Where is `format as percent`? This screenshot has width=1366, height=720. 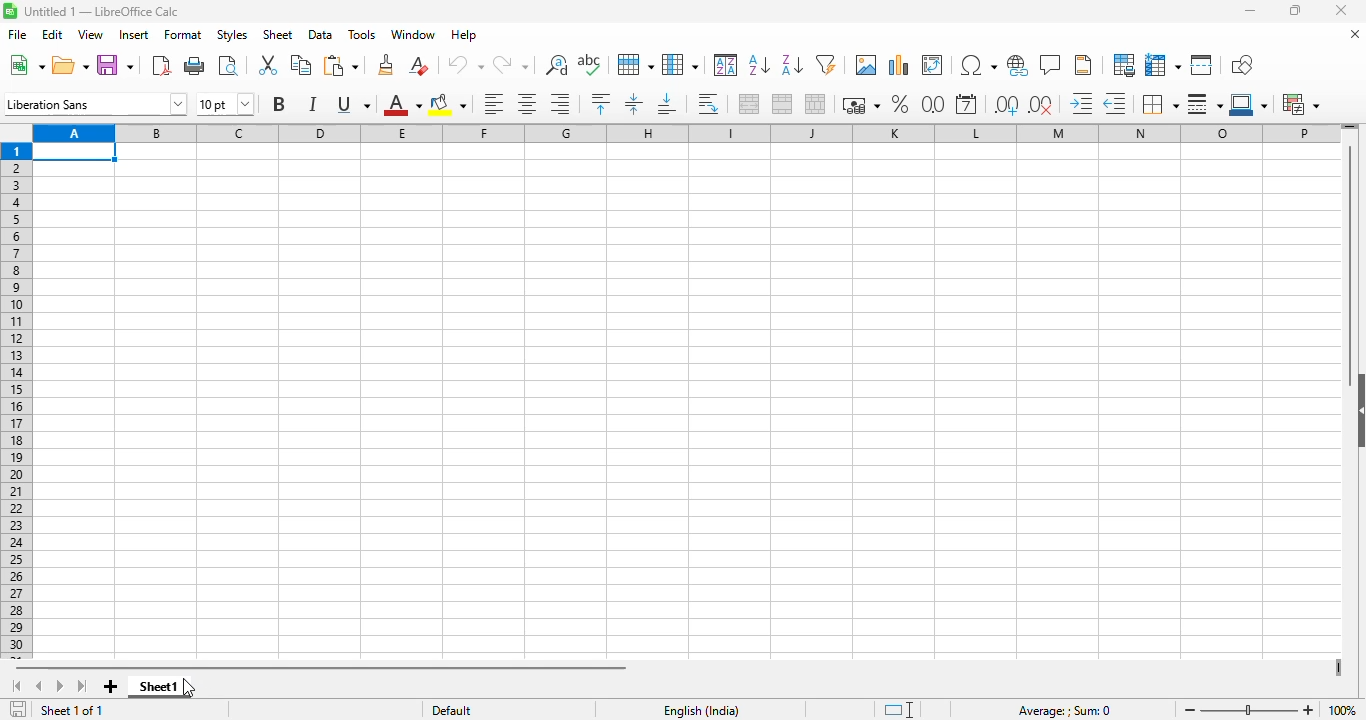
format as percent is located at coordinates (902, 103).